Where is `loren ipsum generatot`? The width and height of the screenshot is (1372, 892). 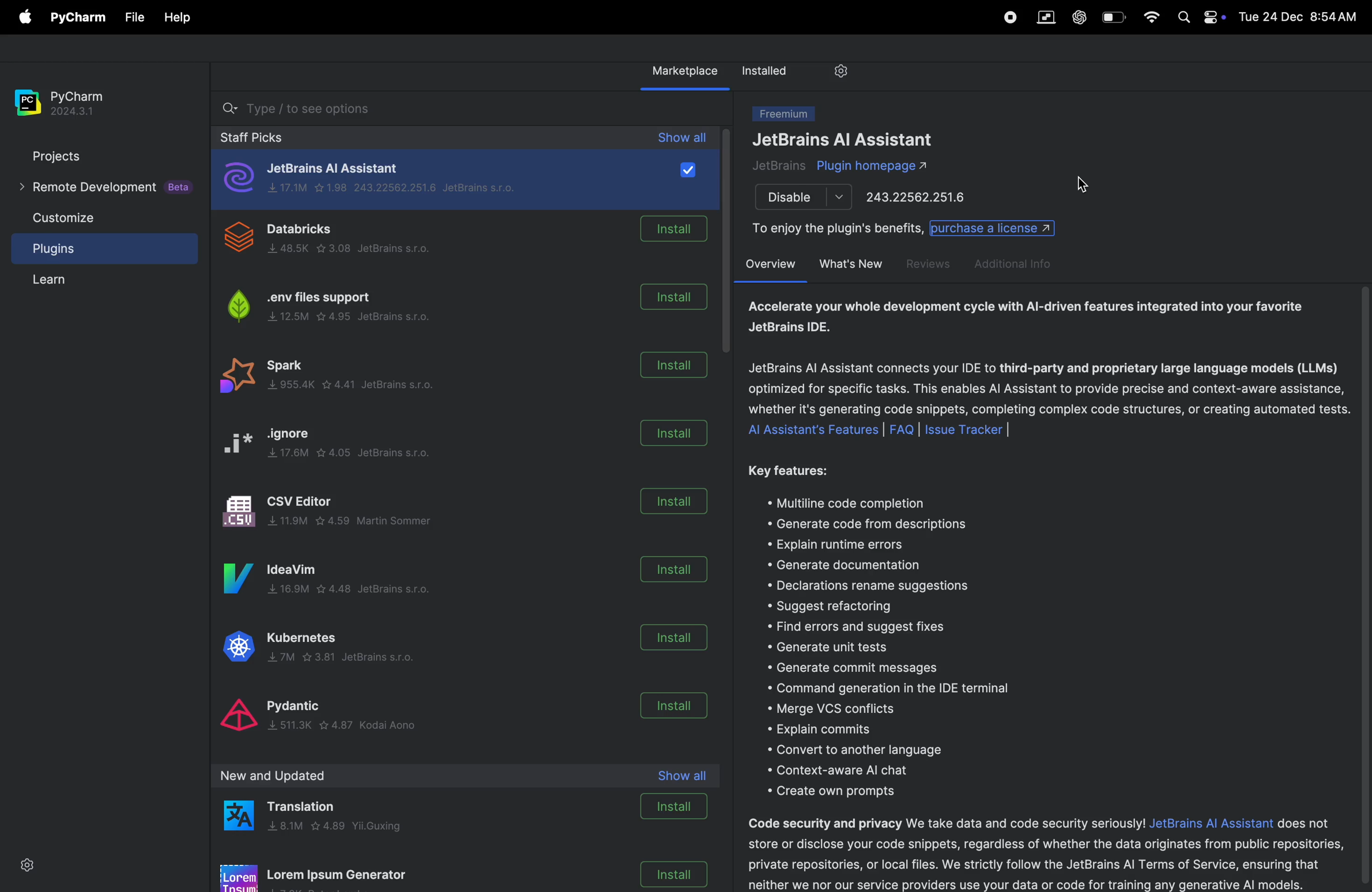
loren ipsum generatot is located at coordinates (334, 876).